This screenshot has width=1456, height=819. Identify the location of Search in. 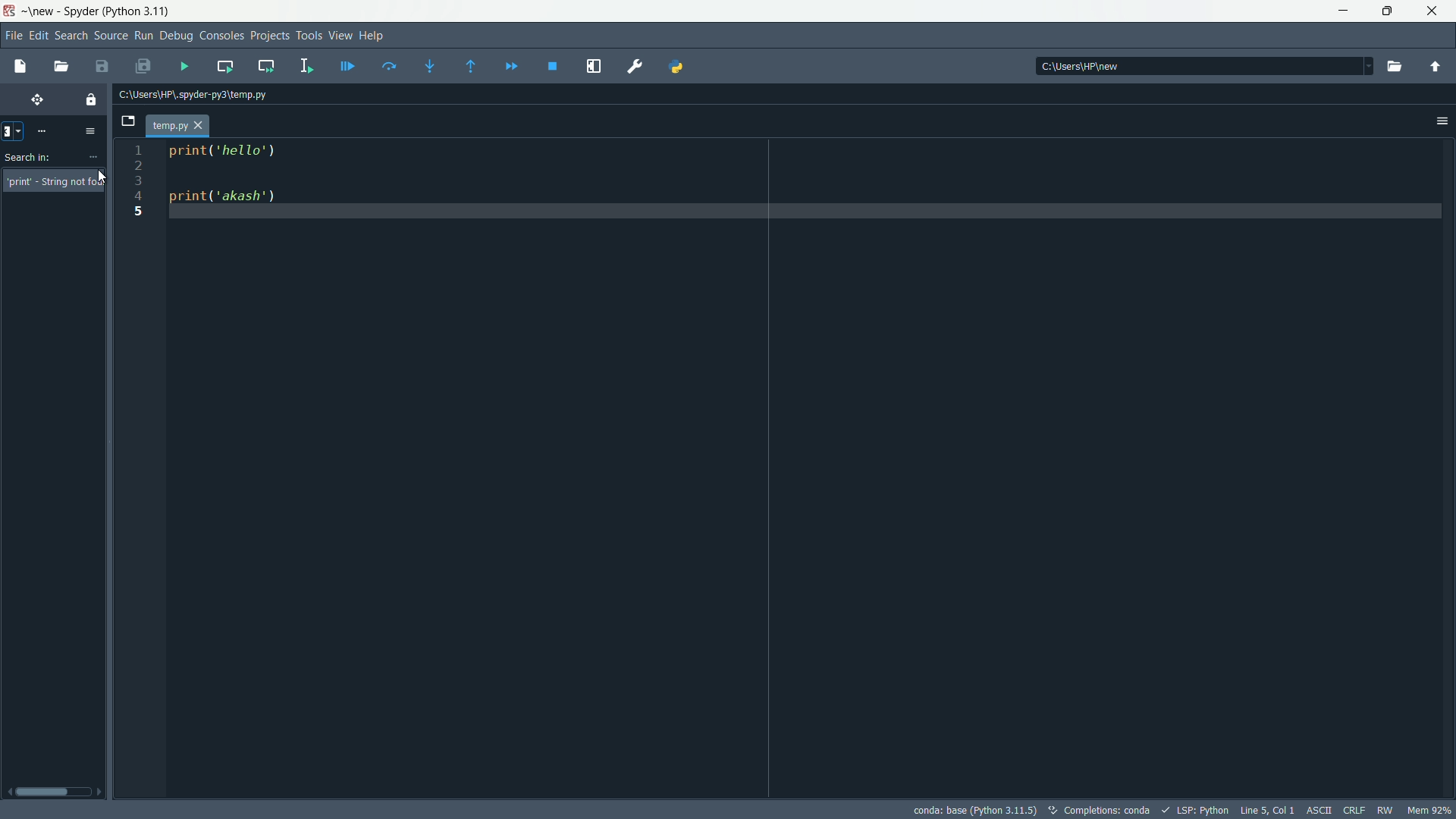
(37, 158).